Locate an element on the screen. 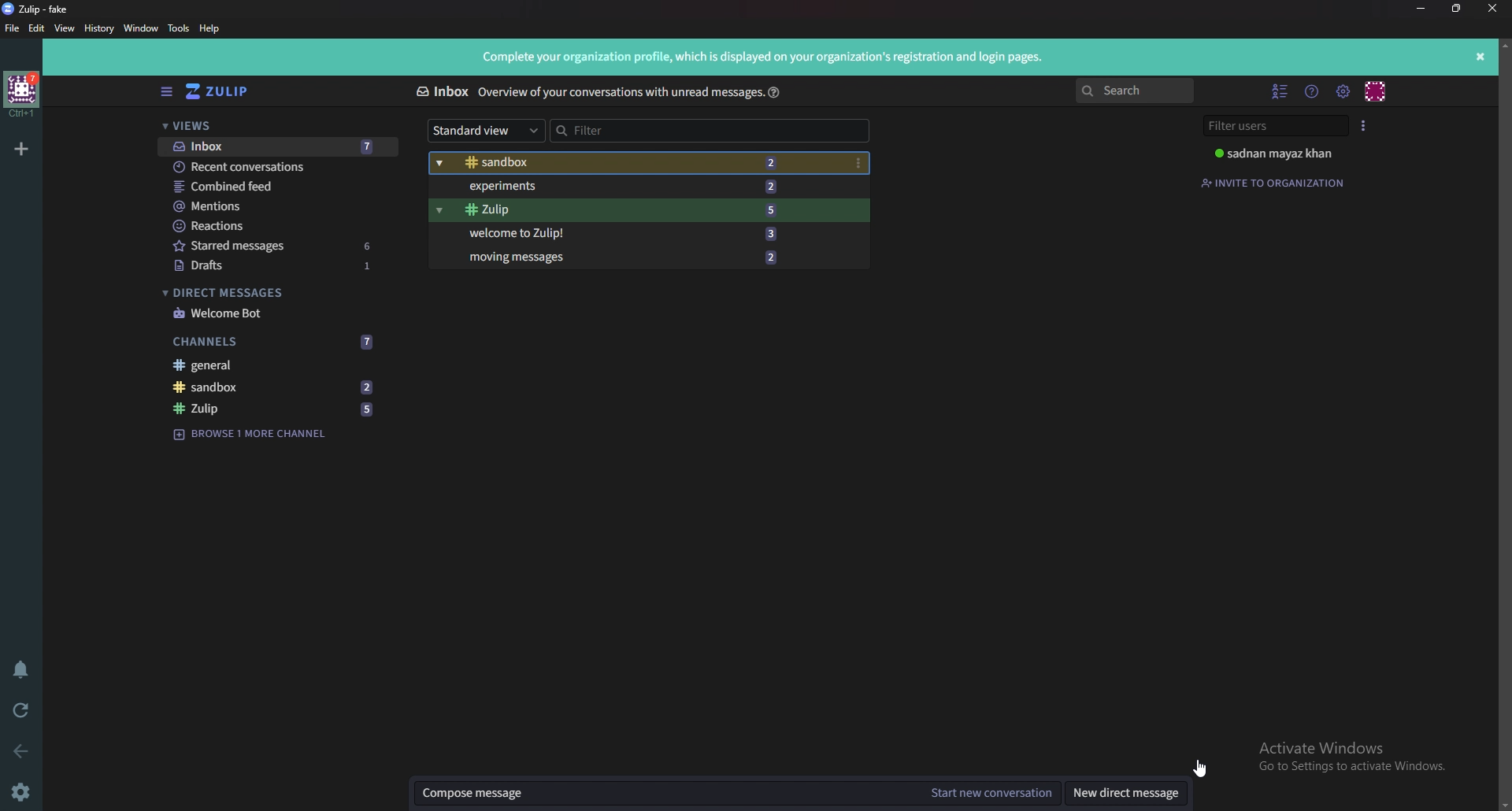 This screenshot has width=1512, height=811. Moving messages is located at coordinates (625, 256).